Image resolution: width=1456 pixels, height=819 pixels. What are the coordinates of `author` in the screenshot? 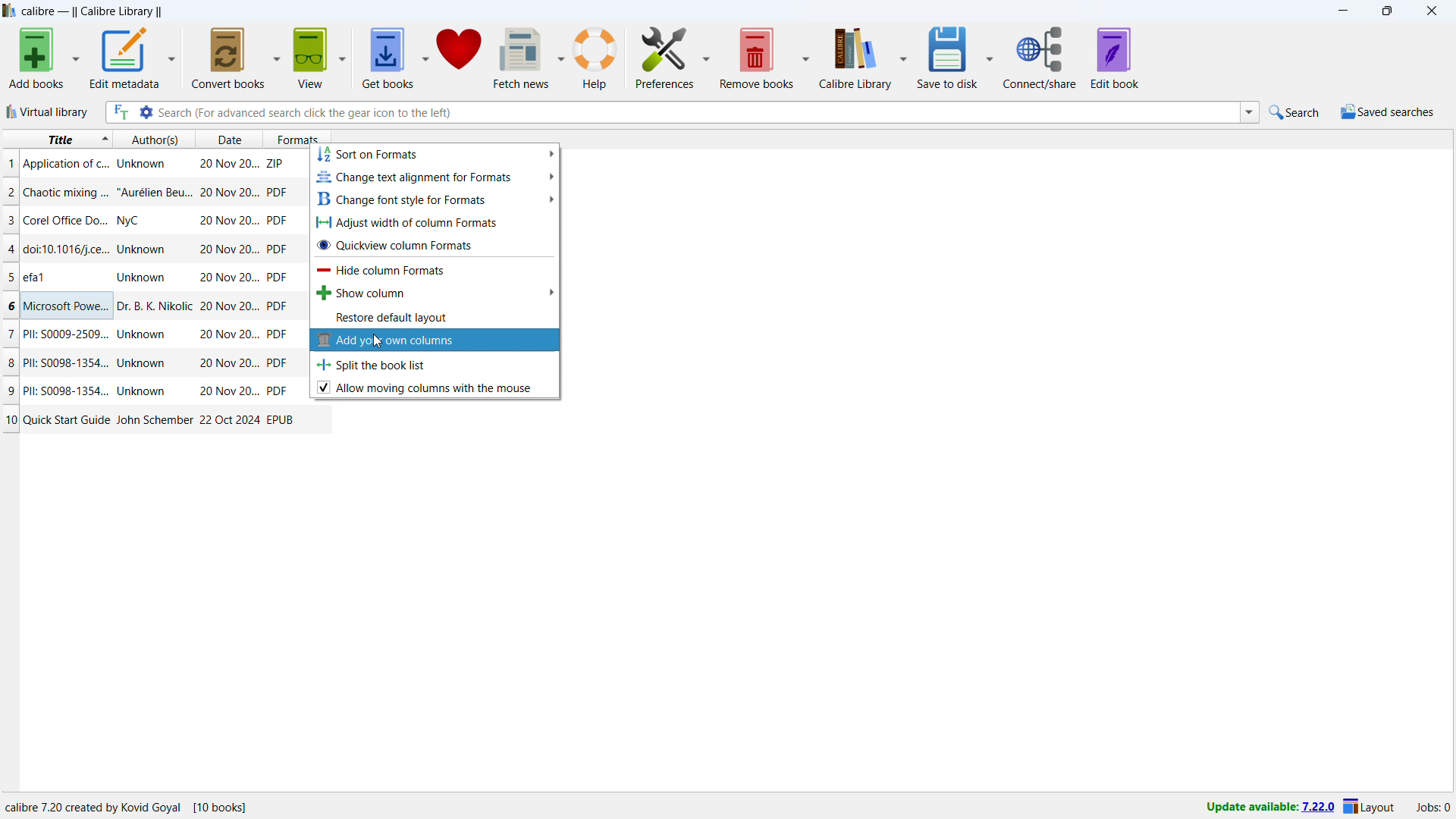 It's located at (143, 363).